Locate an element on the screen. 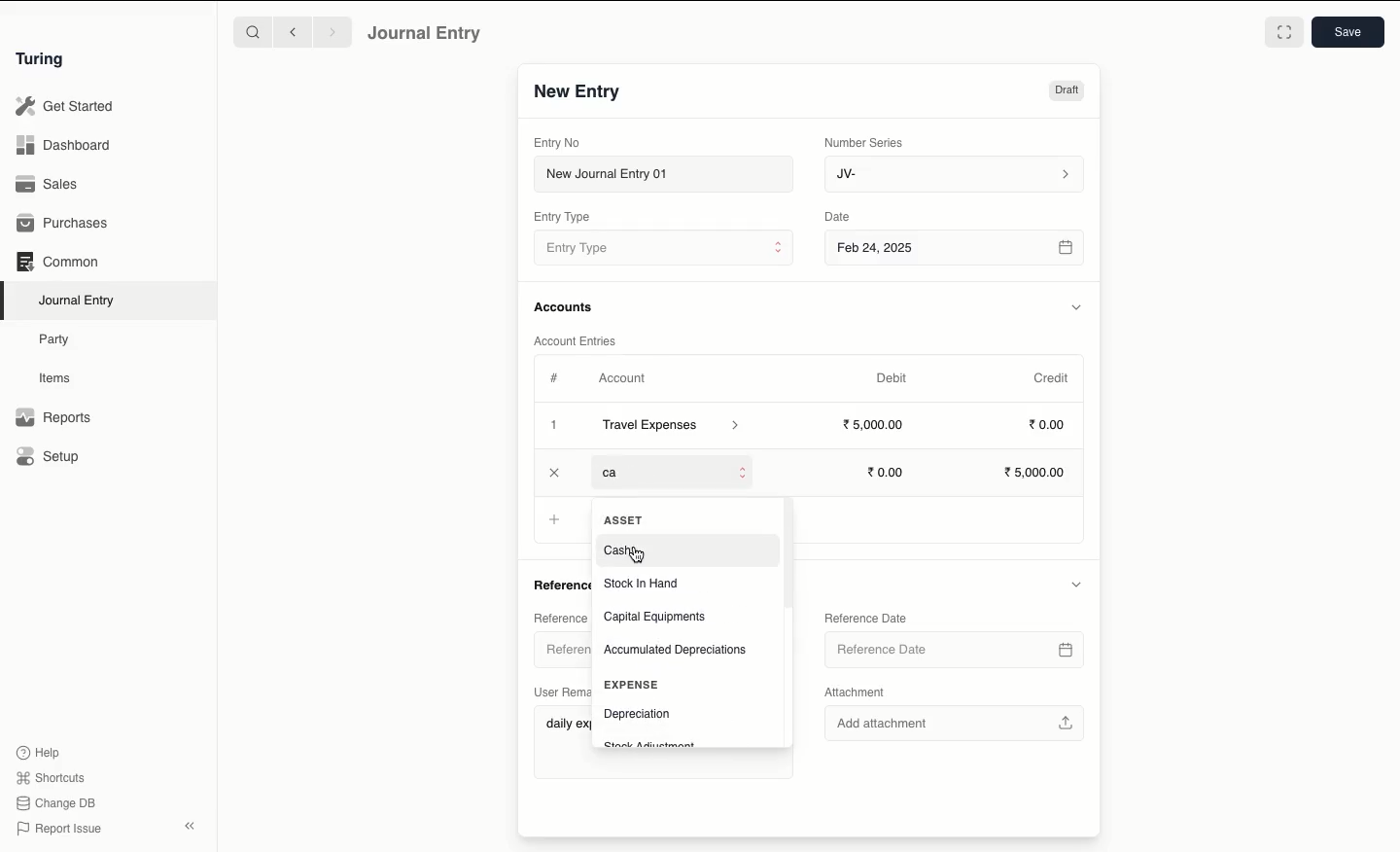  Shortcuts is located at coordinates (53, 778).